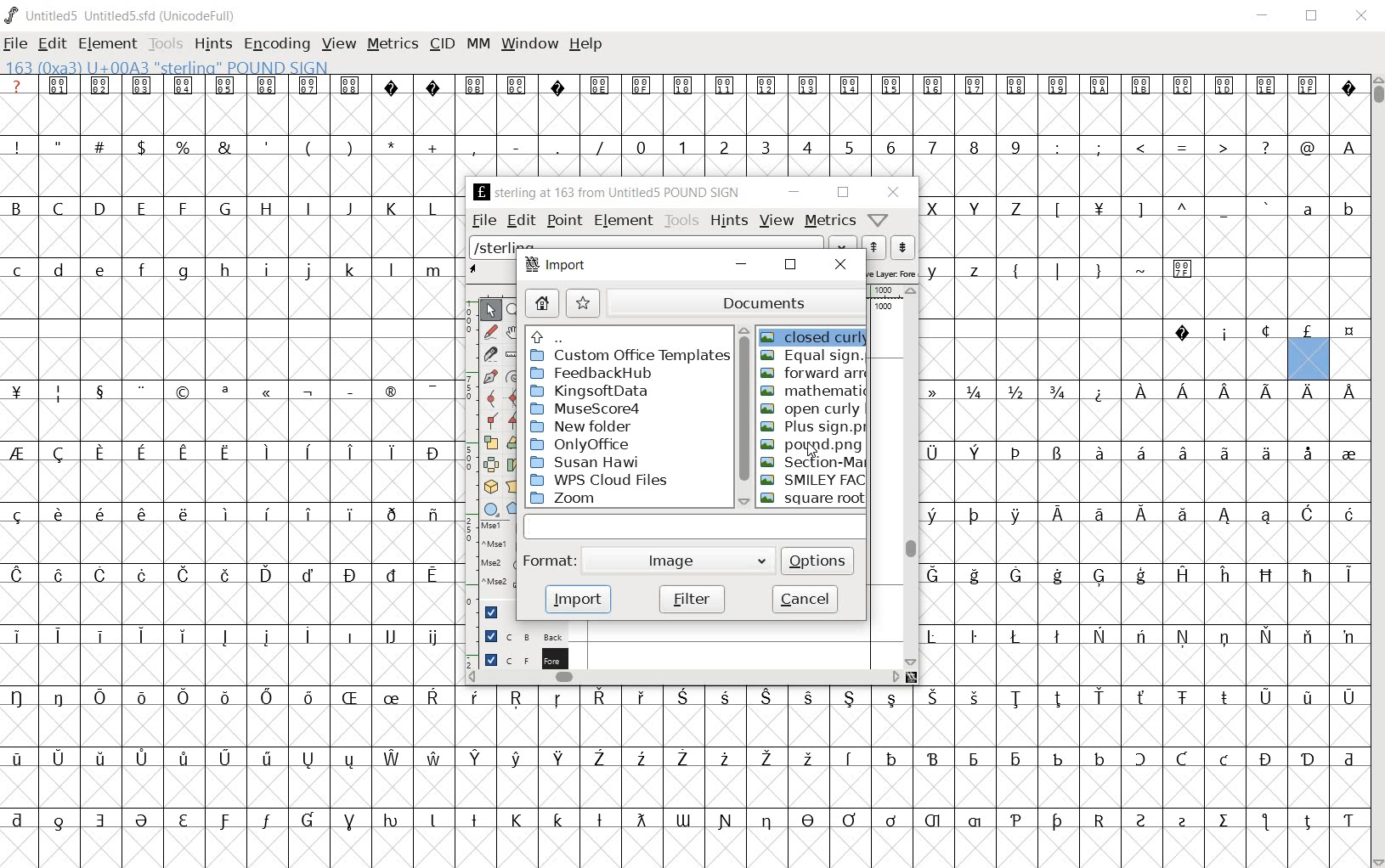  I want to click on &, so click(227, 146).